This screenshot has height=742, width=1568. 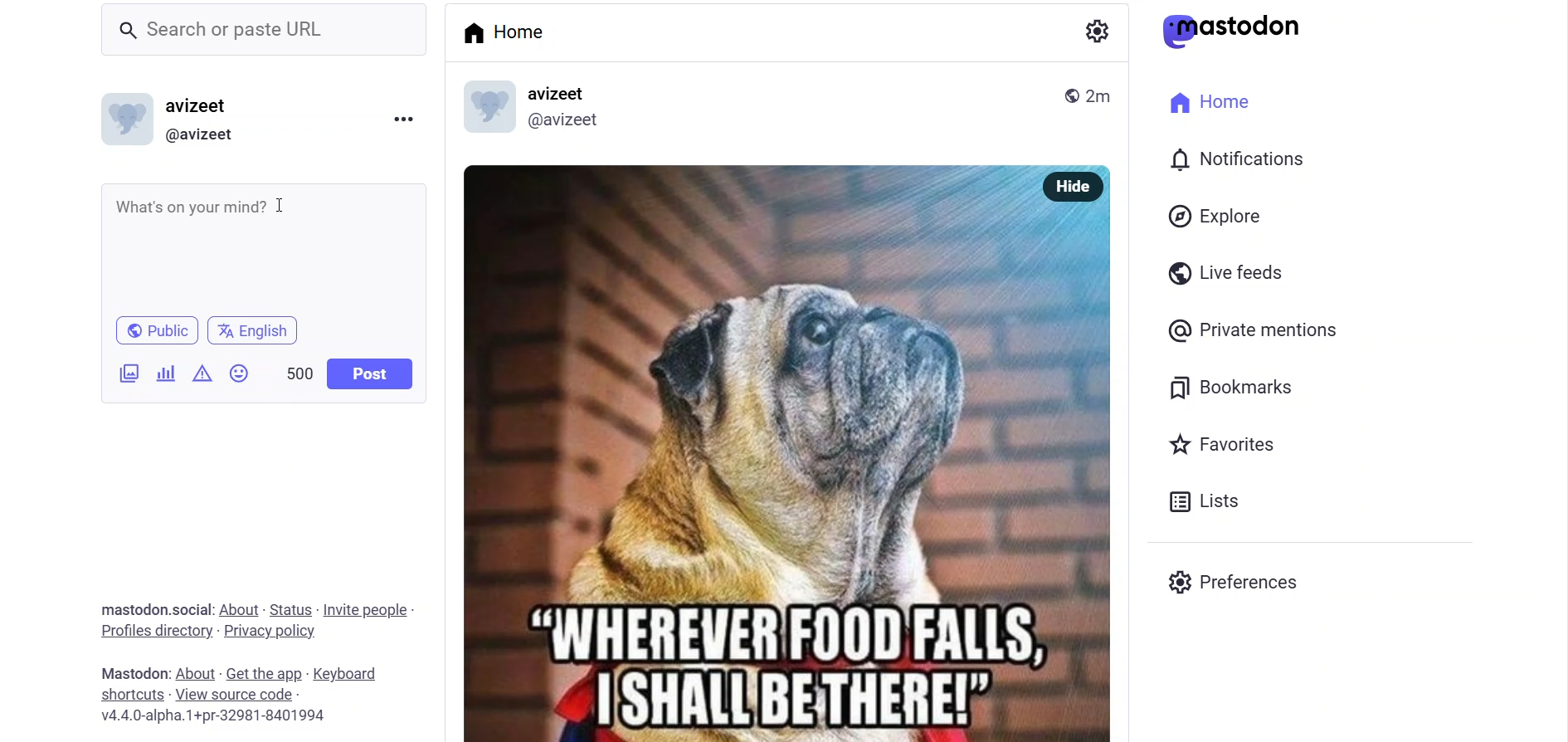 What do you see at coordinates (1238, 580) in the screenshot?
I see `preferences` at bounding box center [1238, 580].